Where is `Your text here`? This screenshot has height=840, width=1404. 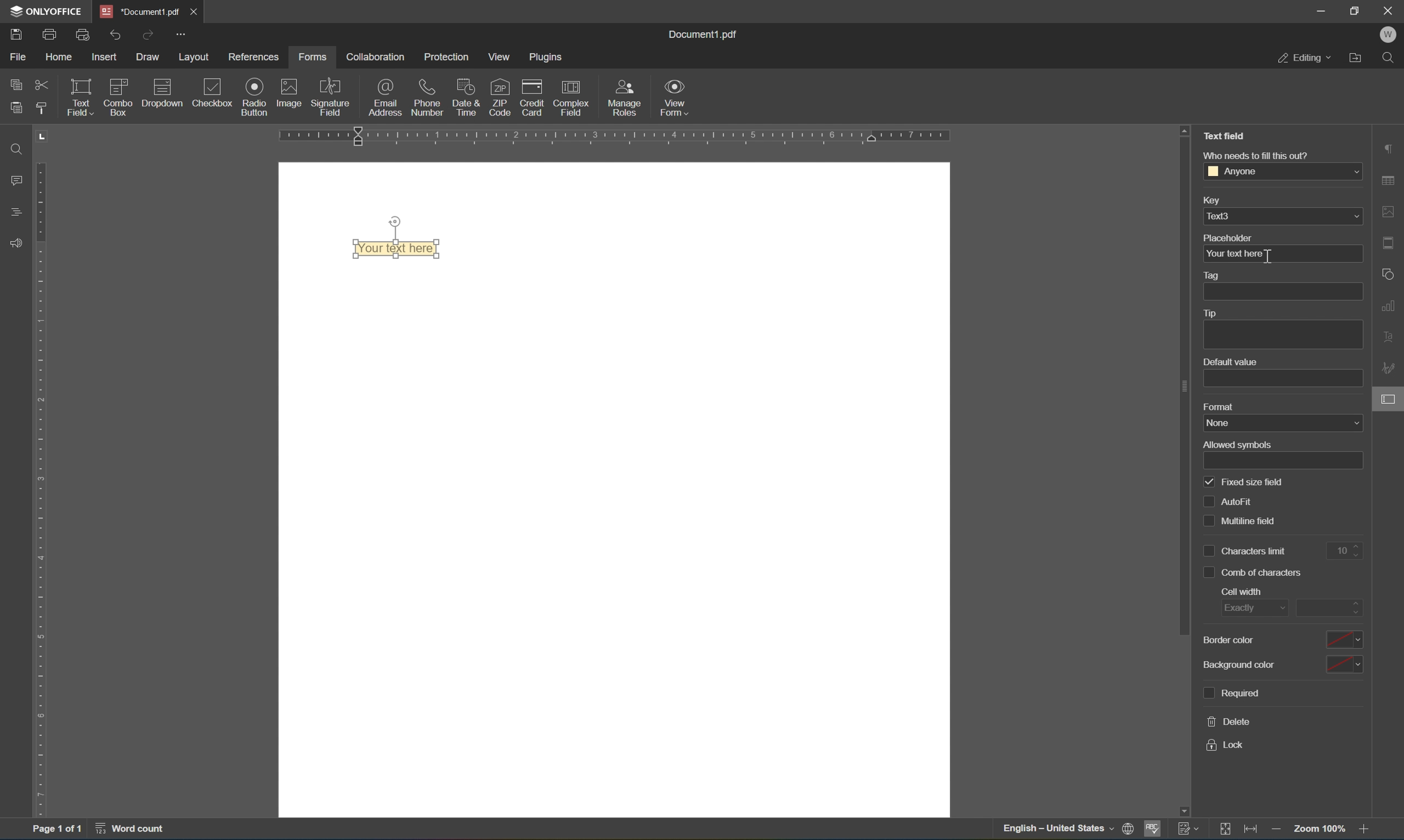
Your text here is located at coordinates (397, 248).